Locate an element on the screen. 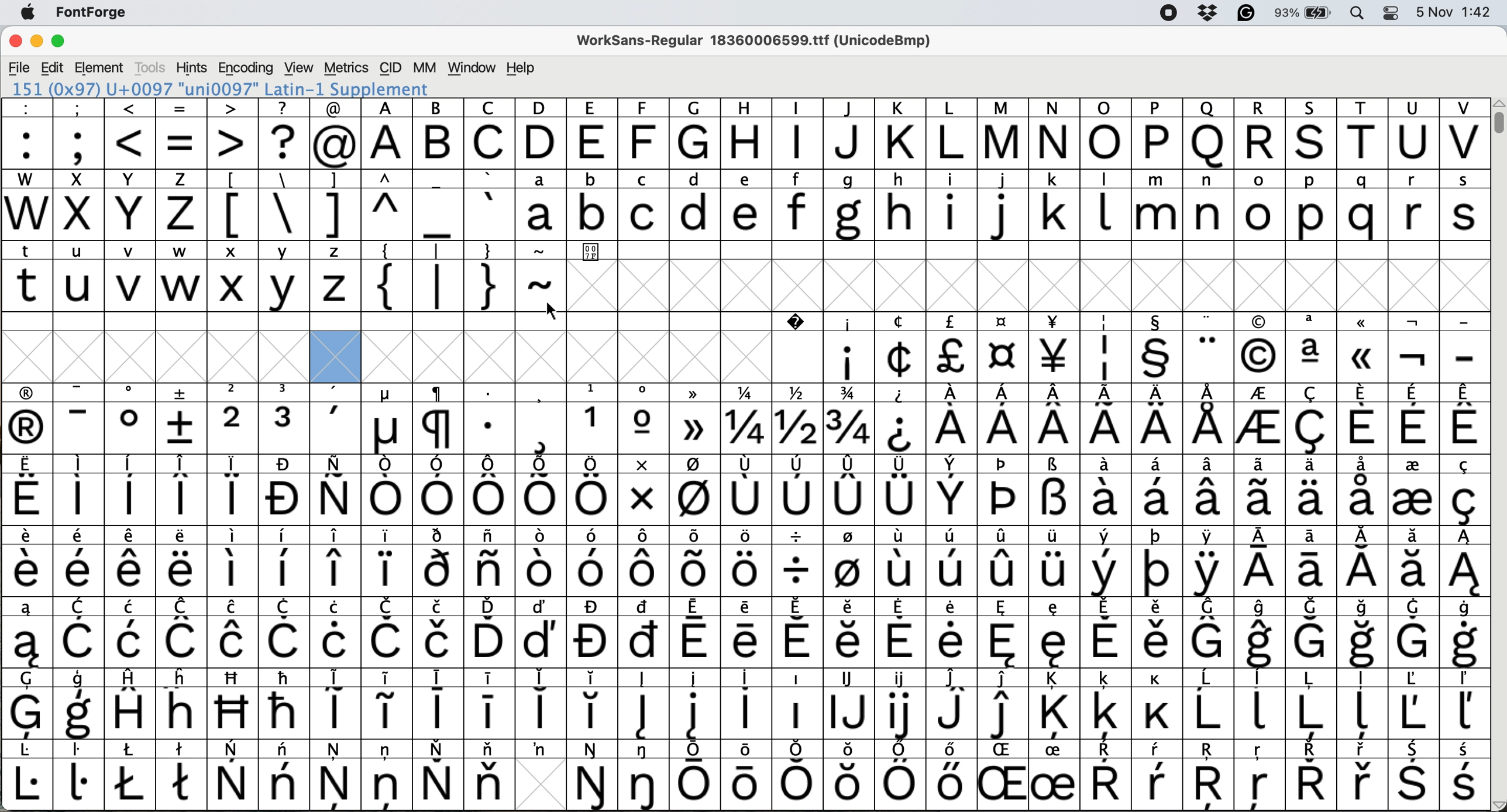 The image size is (1507, 812). symbol is located at coordinates (285, 490).